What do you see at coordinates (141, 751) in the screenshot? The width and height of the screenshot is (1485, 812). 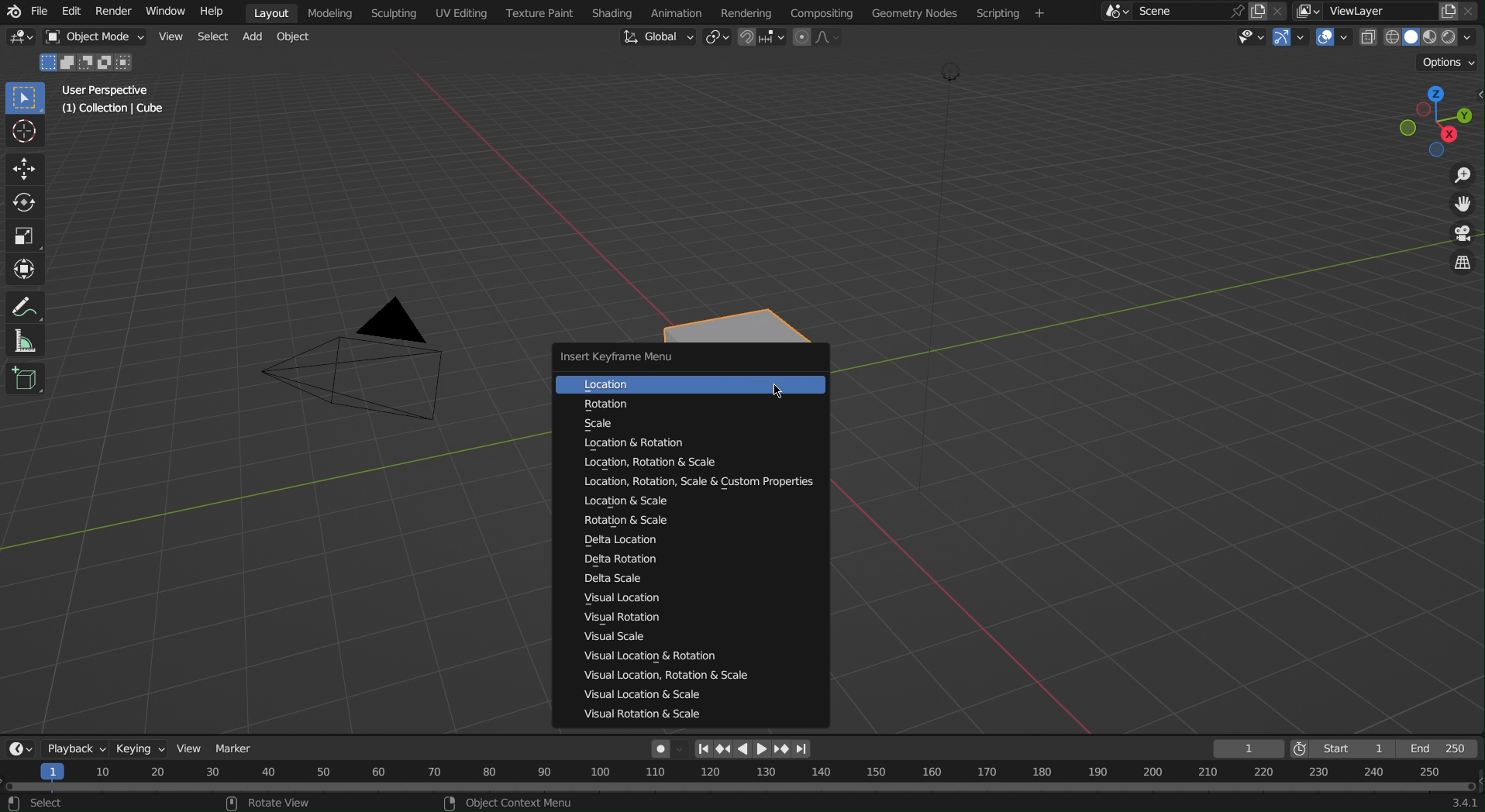 I see `Keying` at bounding box center [141, 751].